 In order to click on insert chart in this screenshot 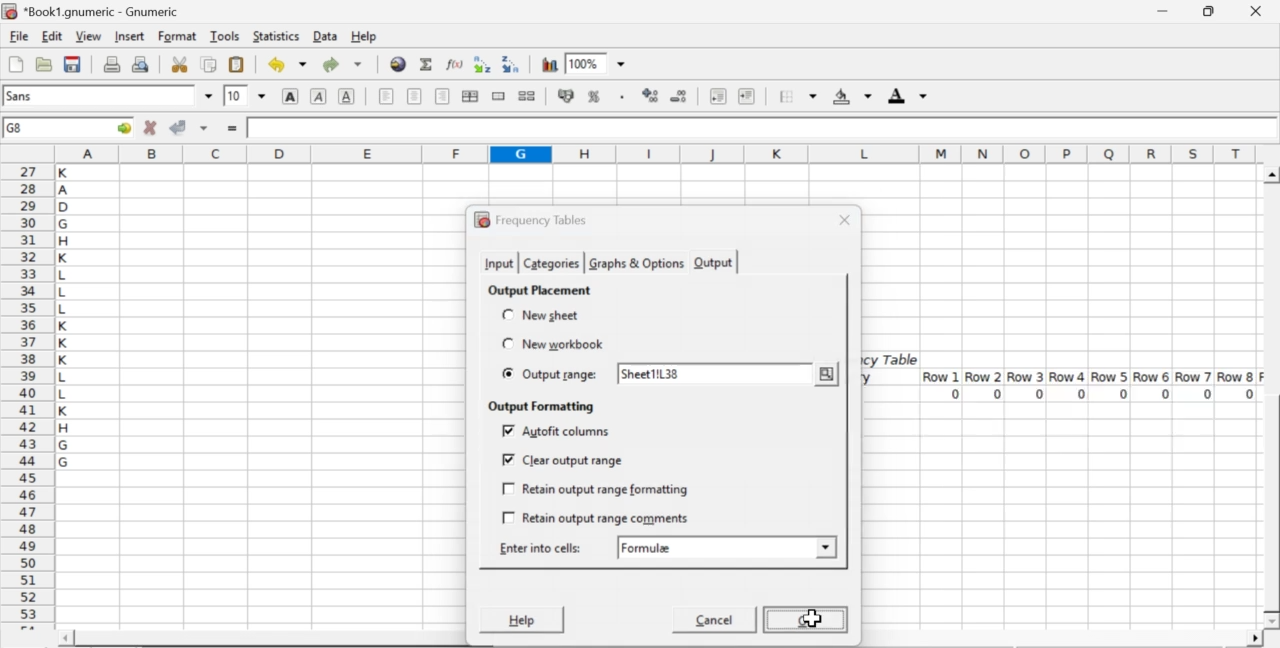, I will do `click(550, 63)`.